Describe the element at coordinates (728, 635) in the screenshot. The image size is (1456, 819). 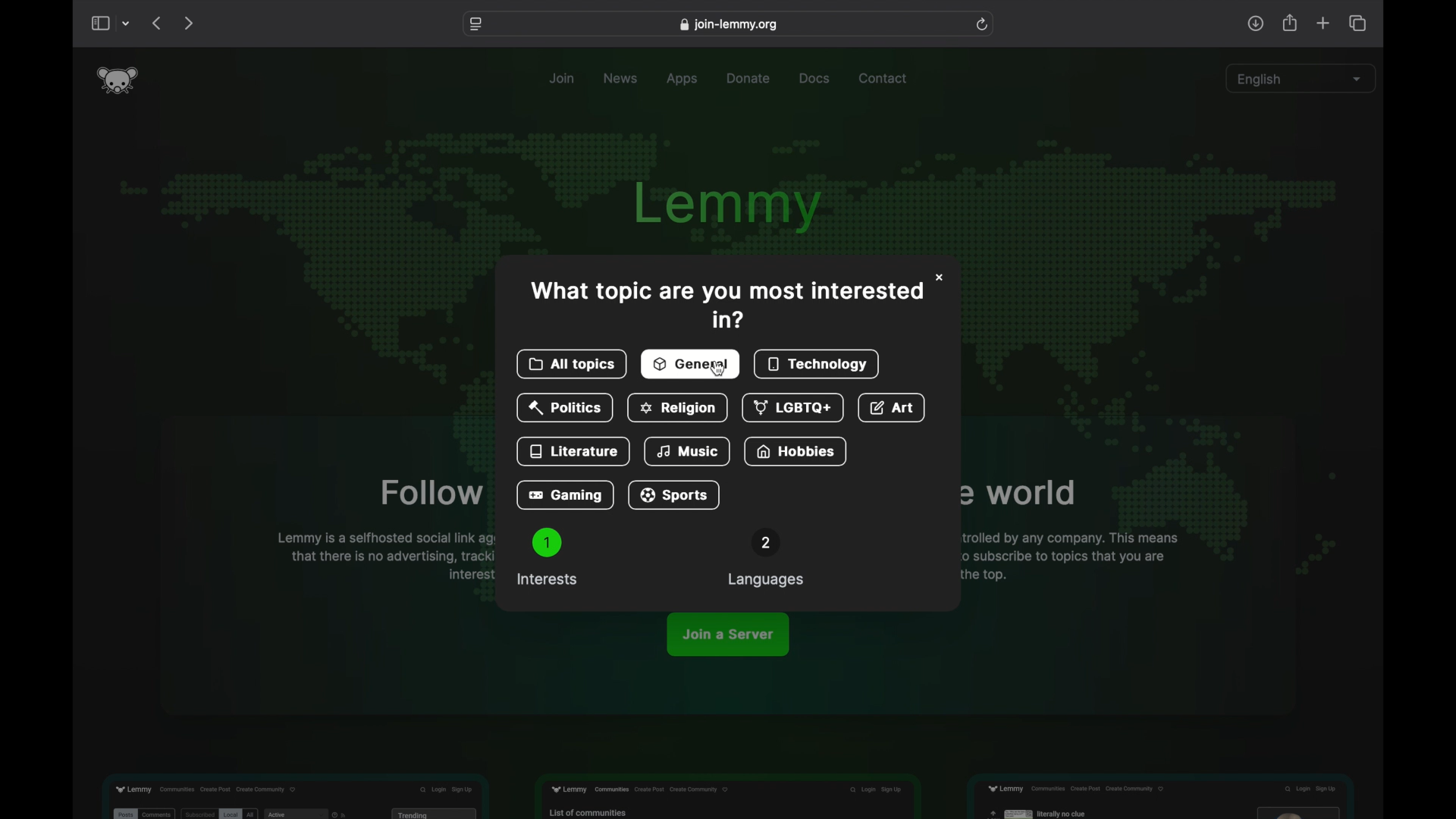
I see `join a server` at that location.